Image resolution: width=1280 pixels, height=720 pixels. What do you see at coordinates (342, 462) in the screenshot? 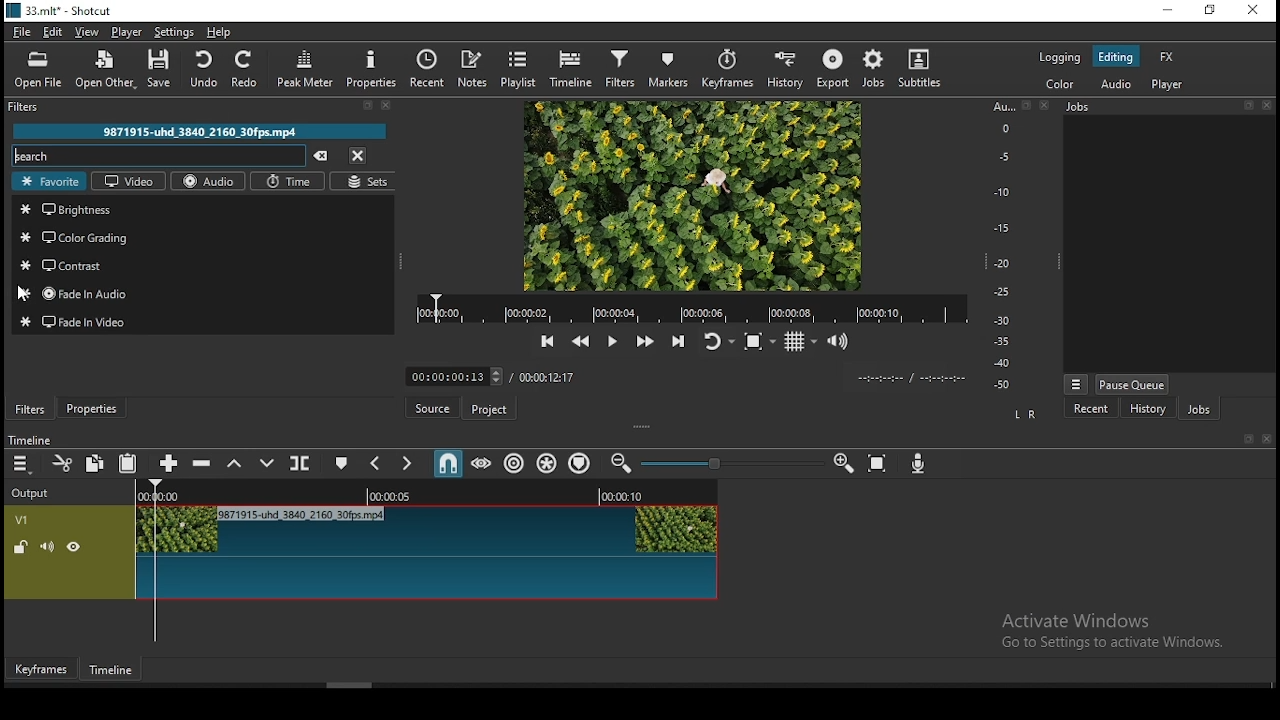
I see `create/edit marker` at bounding box center [342, 462].